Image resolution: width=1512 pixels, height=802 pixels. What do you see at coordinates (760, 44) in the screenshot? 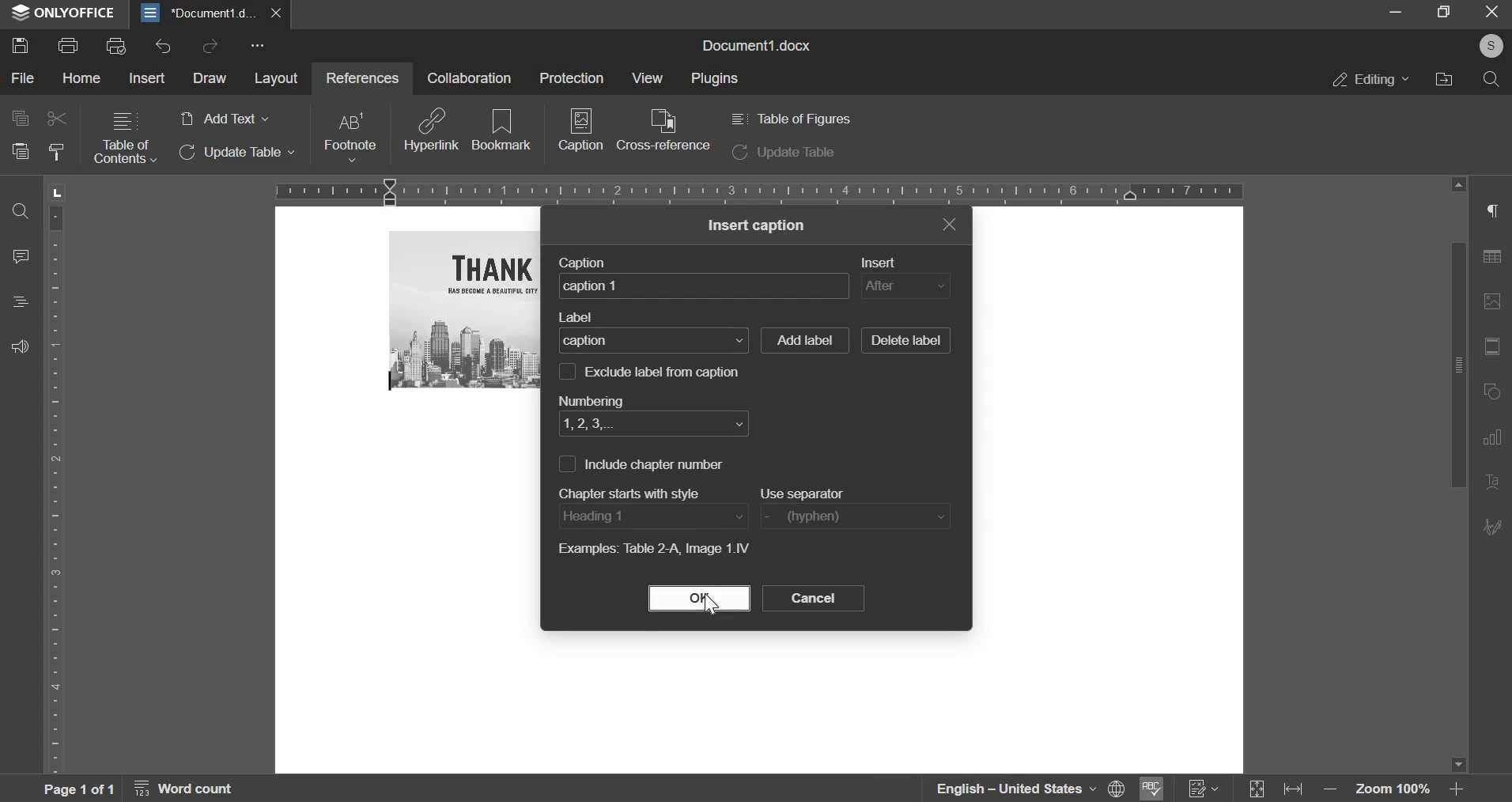
I see `document1.docx` at bounding box center [760, 44].